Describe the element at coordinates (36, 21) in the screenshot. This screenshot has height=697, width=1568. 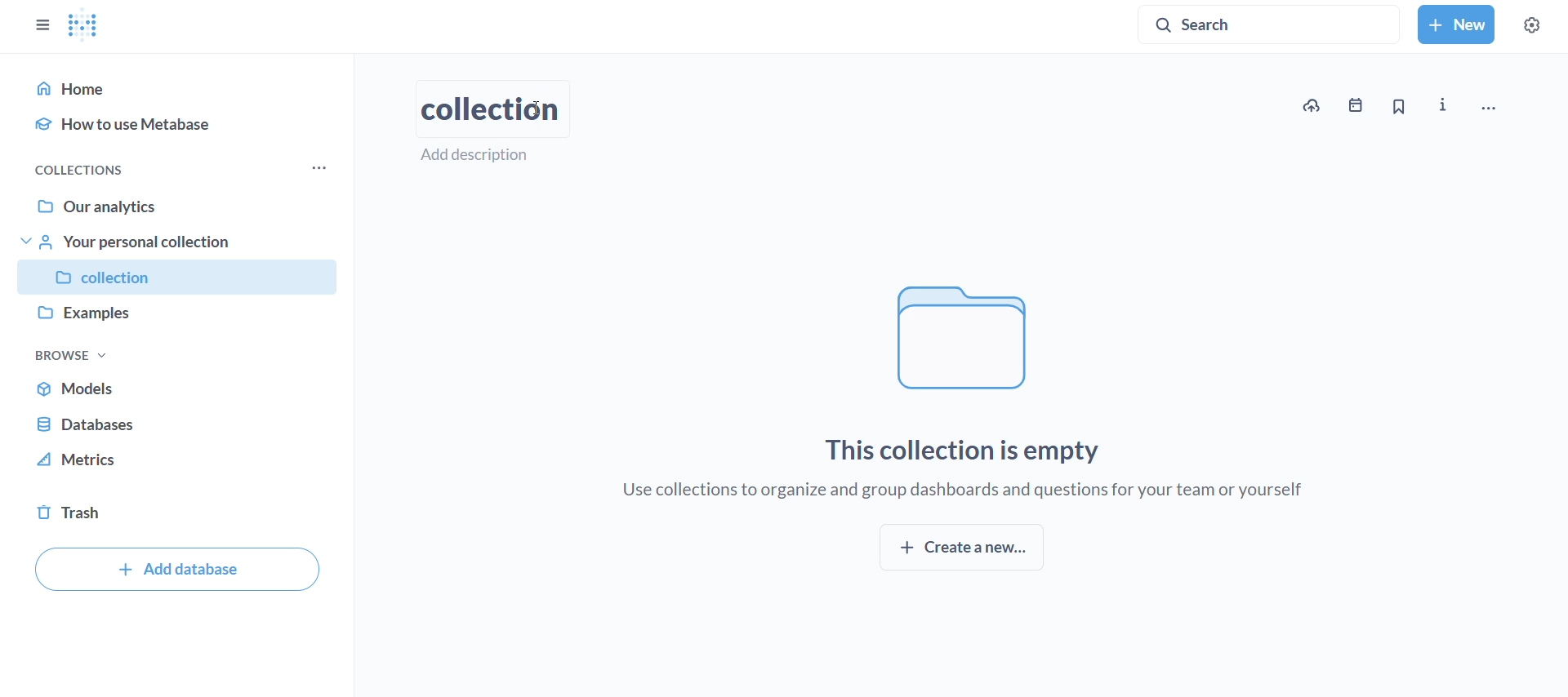
I see `close sidebar` at that location.